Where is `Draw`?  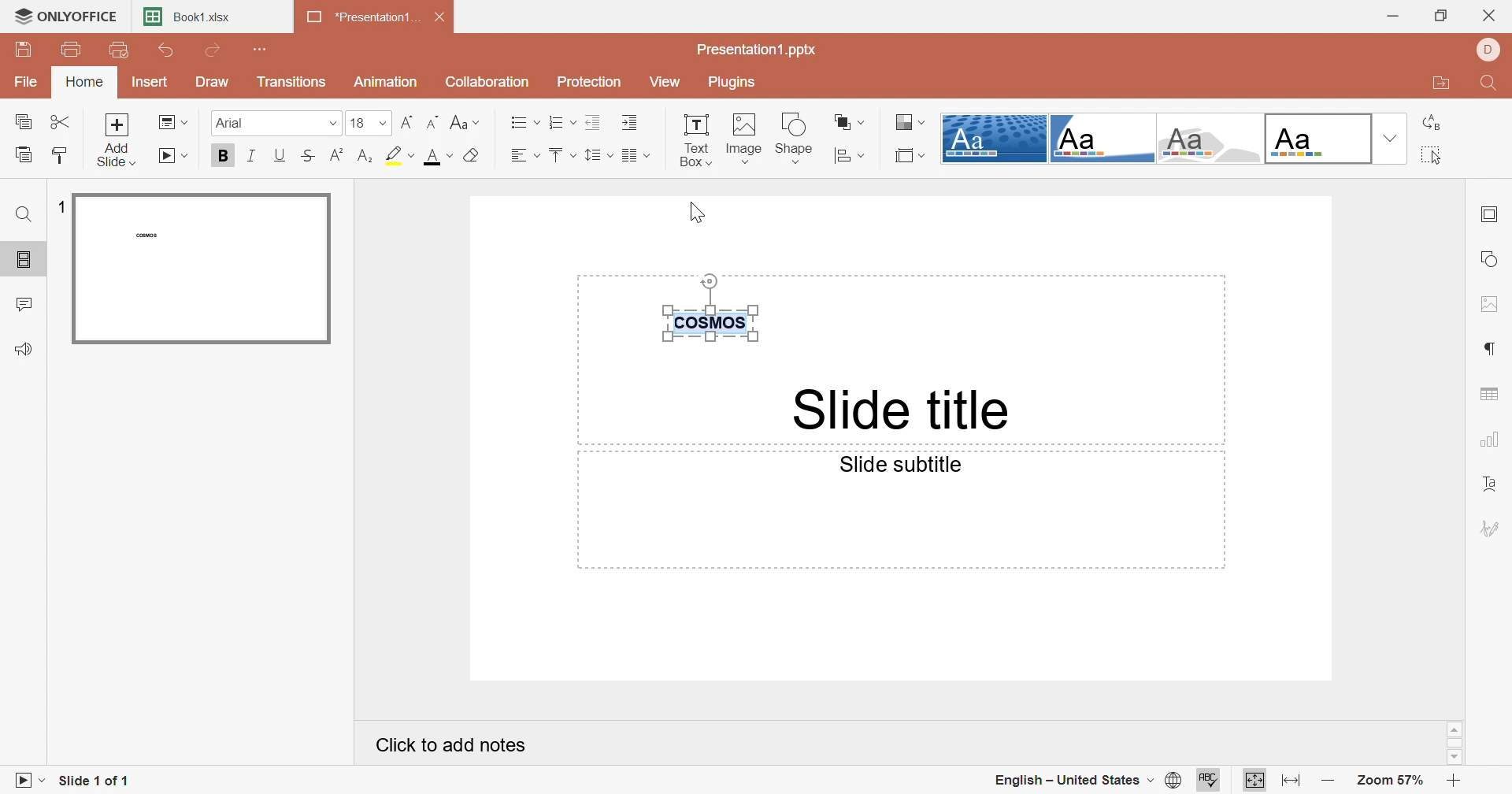
Draw is located at coordinates (212, 82).